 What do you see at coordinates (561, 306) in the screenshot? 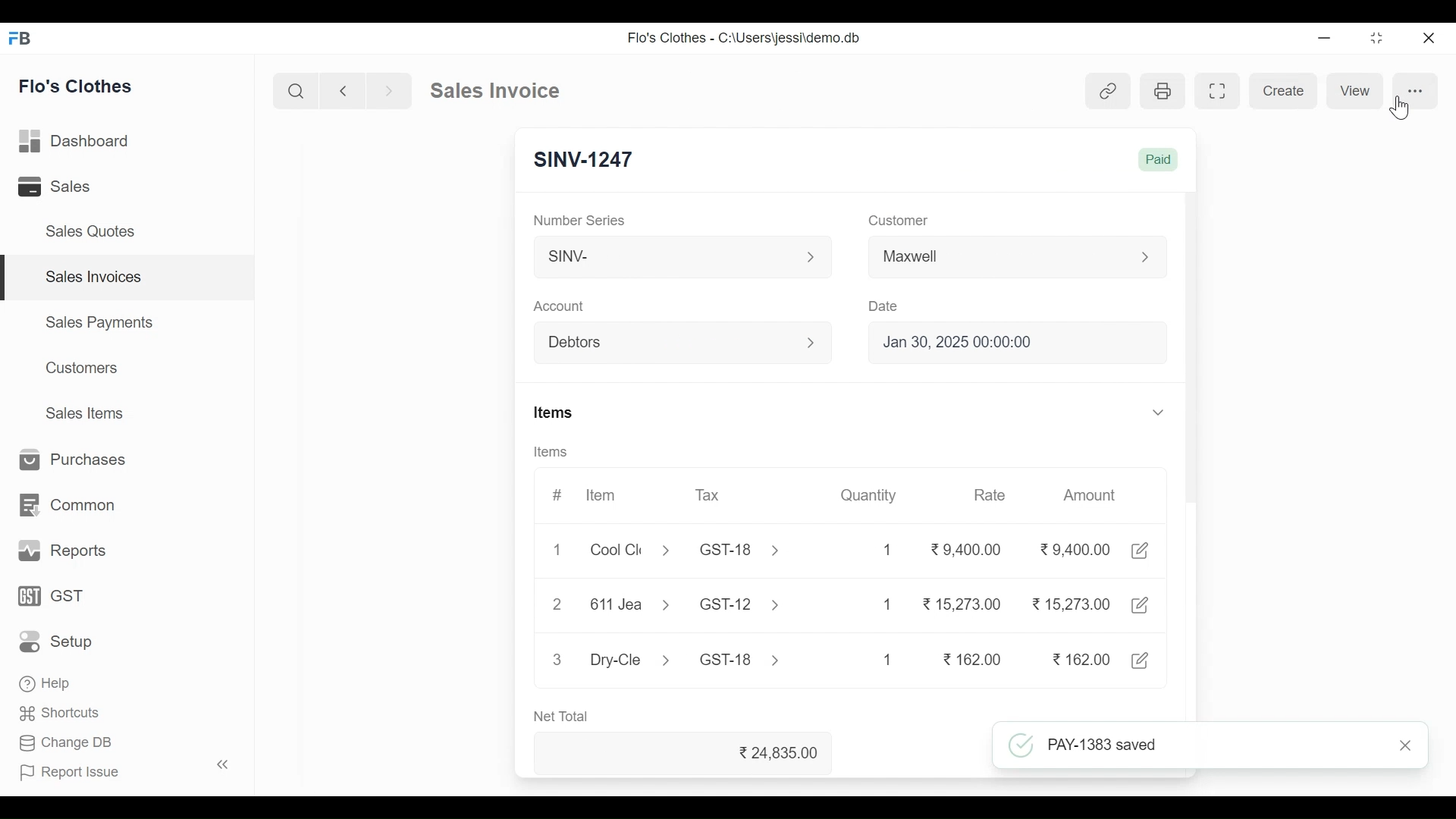
I see `Account` at bounding box center [561, 306].